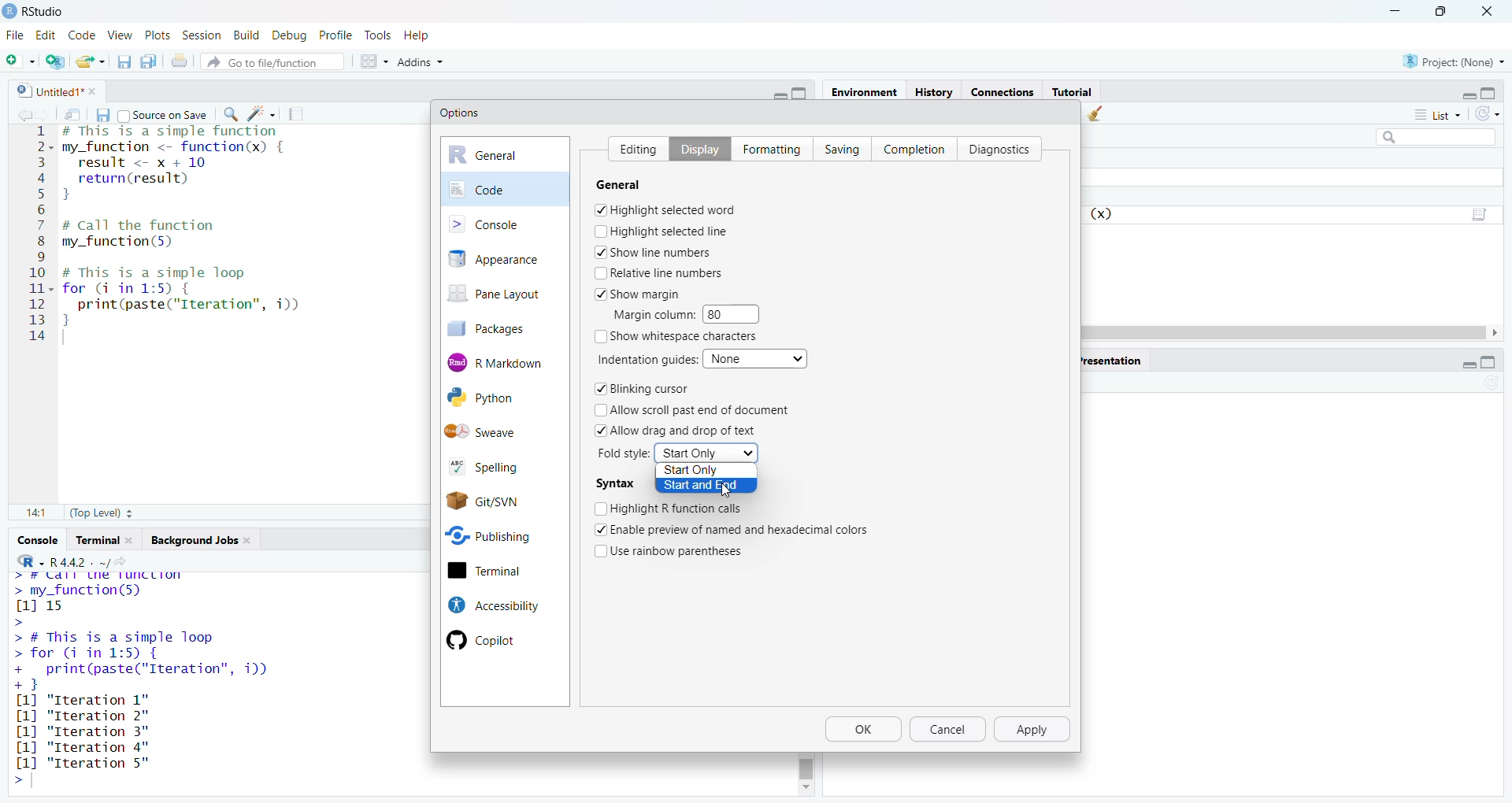 This screenshot has width=1512, height=803. What do you see at coordinates (706, 487) in the screenshot?
I see `start and end` at bounding box center [706, 487].